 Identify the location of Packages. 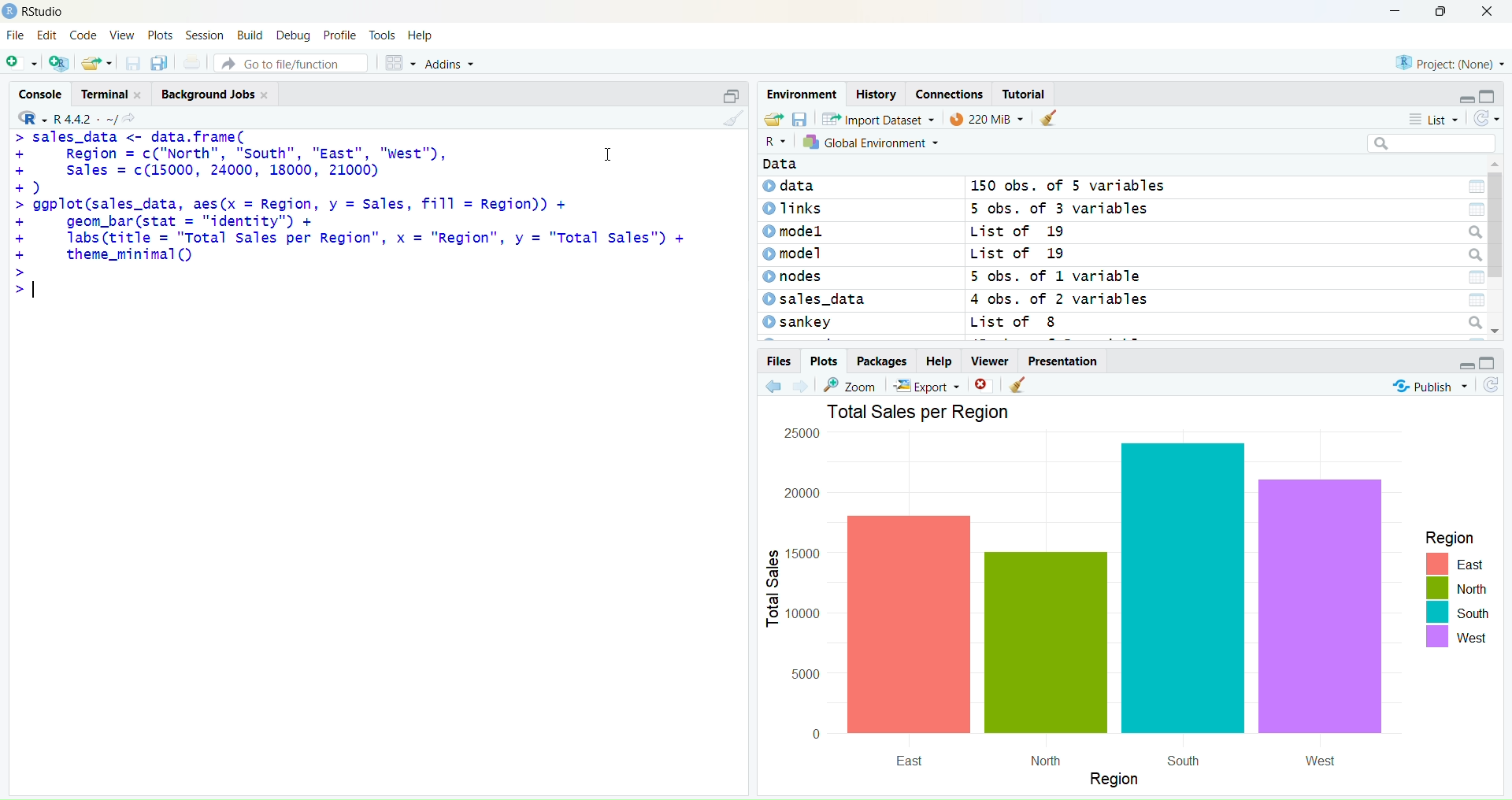
(886, 362).